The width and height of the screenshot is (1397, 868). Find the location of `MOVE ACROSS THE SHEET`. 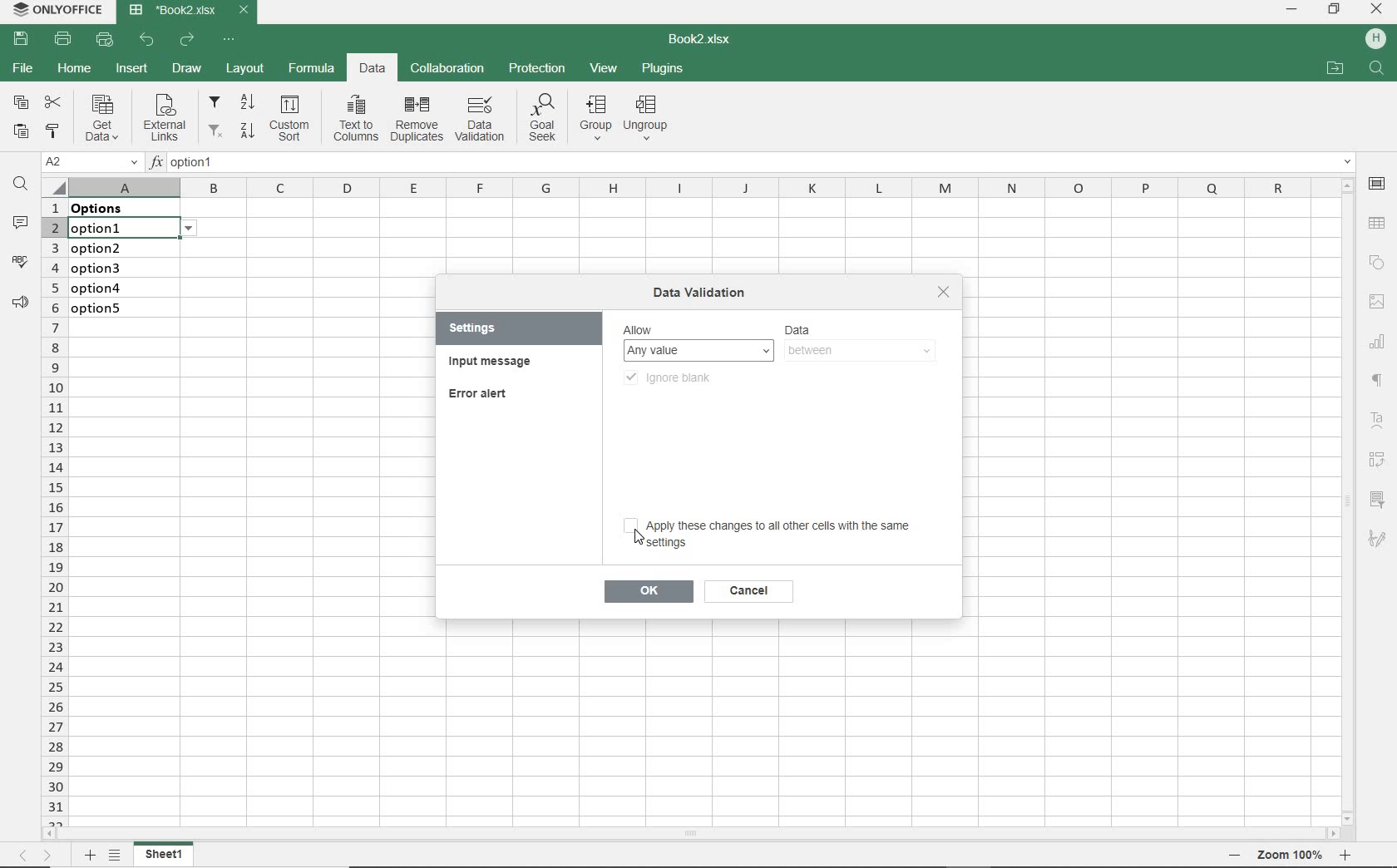

MOVE ACROSS THE SHEET is located at coordinates (36, 855).